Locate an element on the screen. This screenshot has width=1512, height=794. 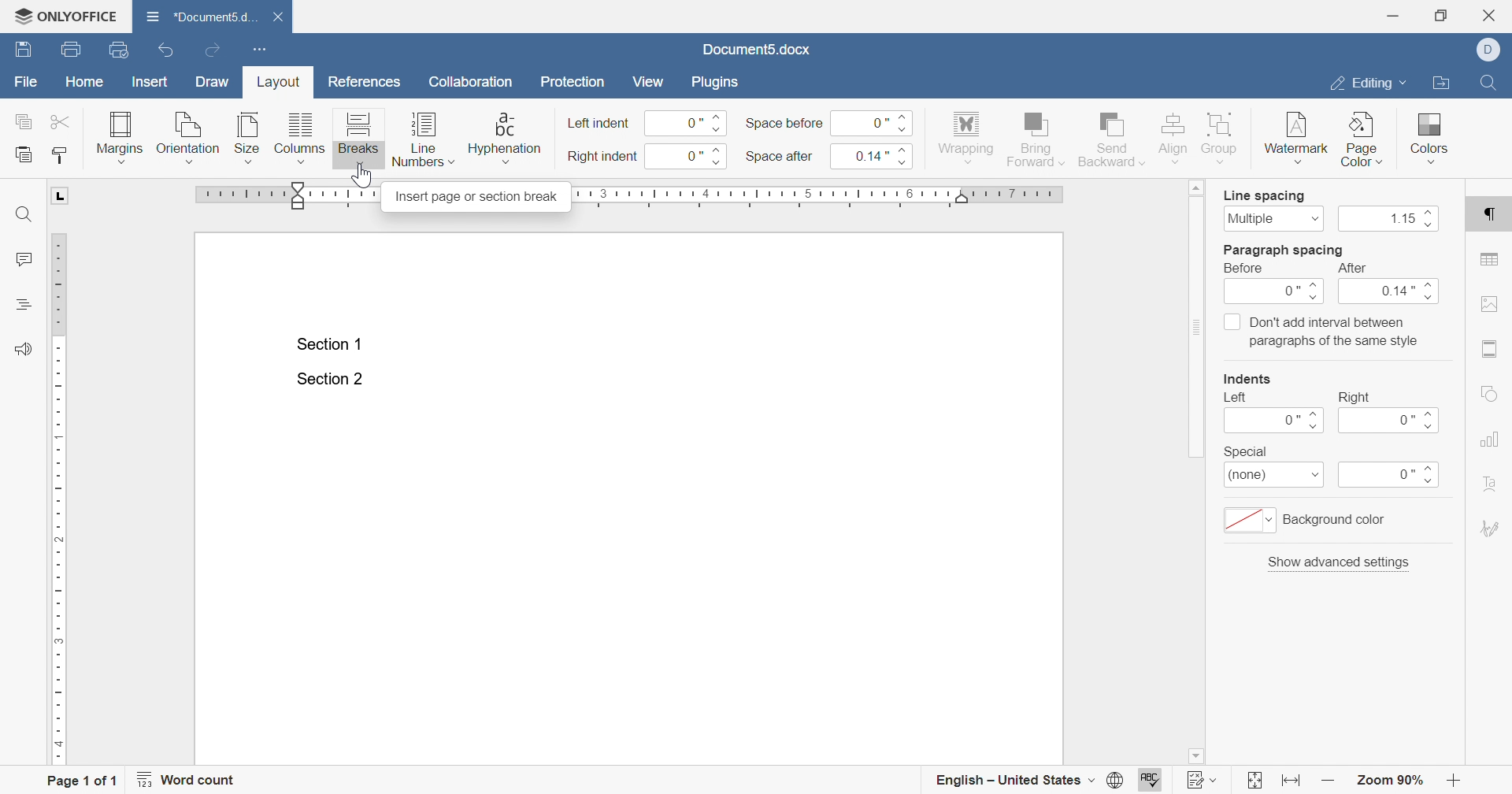
open file location is located at coordinates (1441, 83).